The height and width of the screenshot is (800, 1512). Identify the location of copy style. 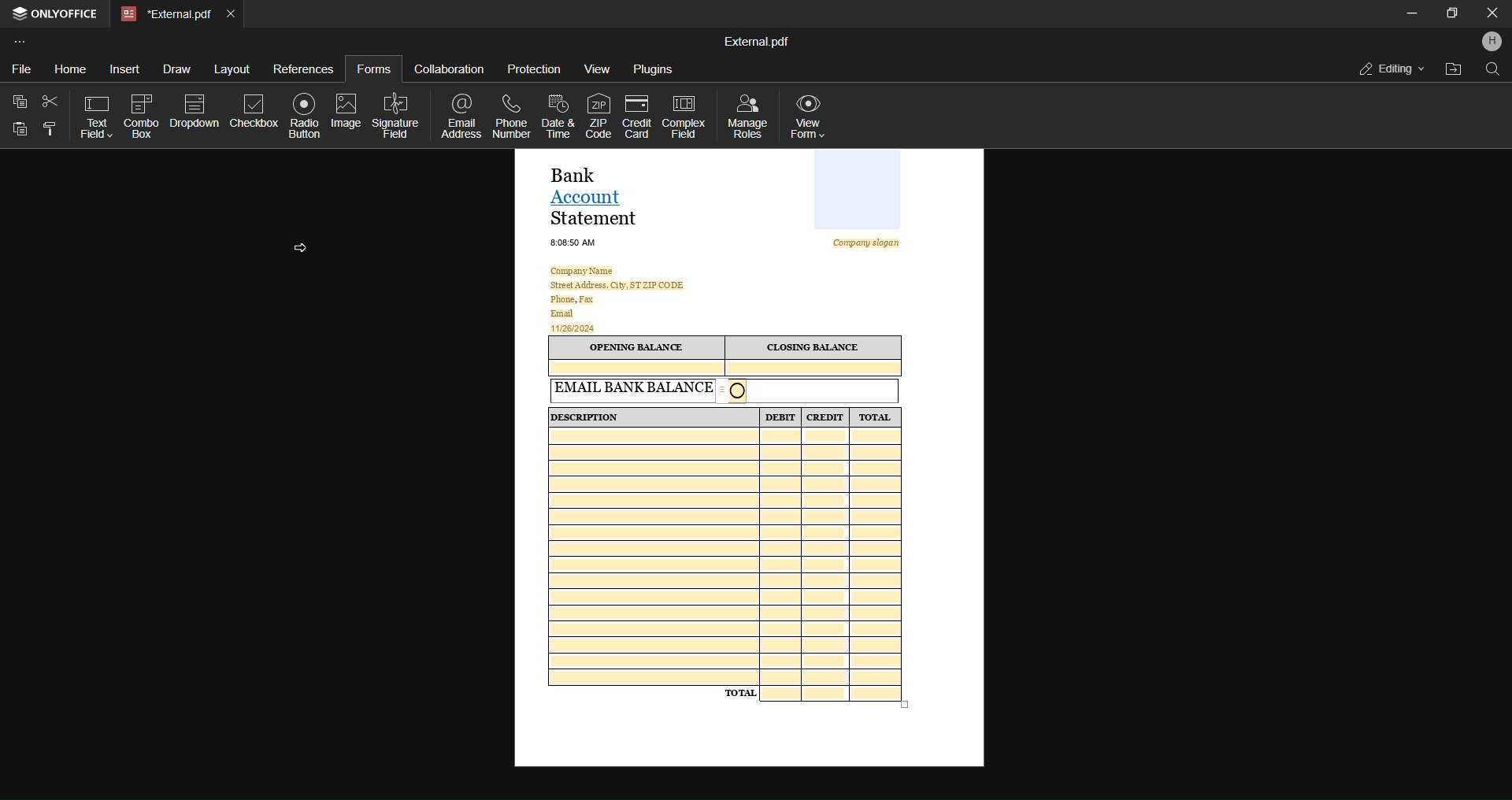
(52, 129).